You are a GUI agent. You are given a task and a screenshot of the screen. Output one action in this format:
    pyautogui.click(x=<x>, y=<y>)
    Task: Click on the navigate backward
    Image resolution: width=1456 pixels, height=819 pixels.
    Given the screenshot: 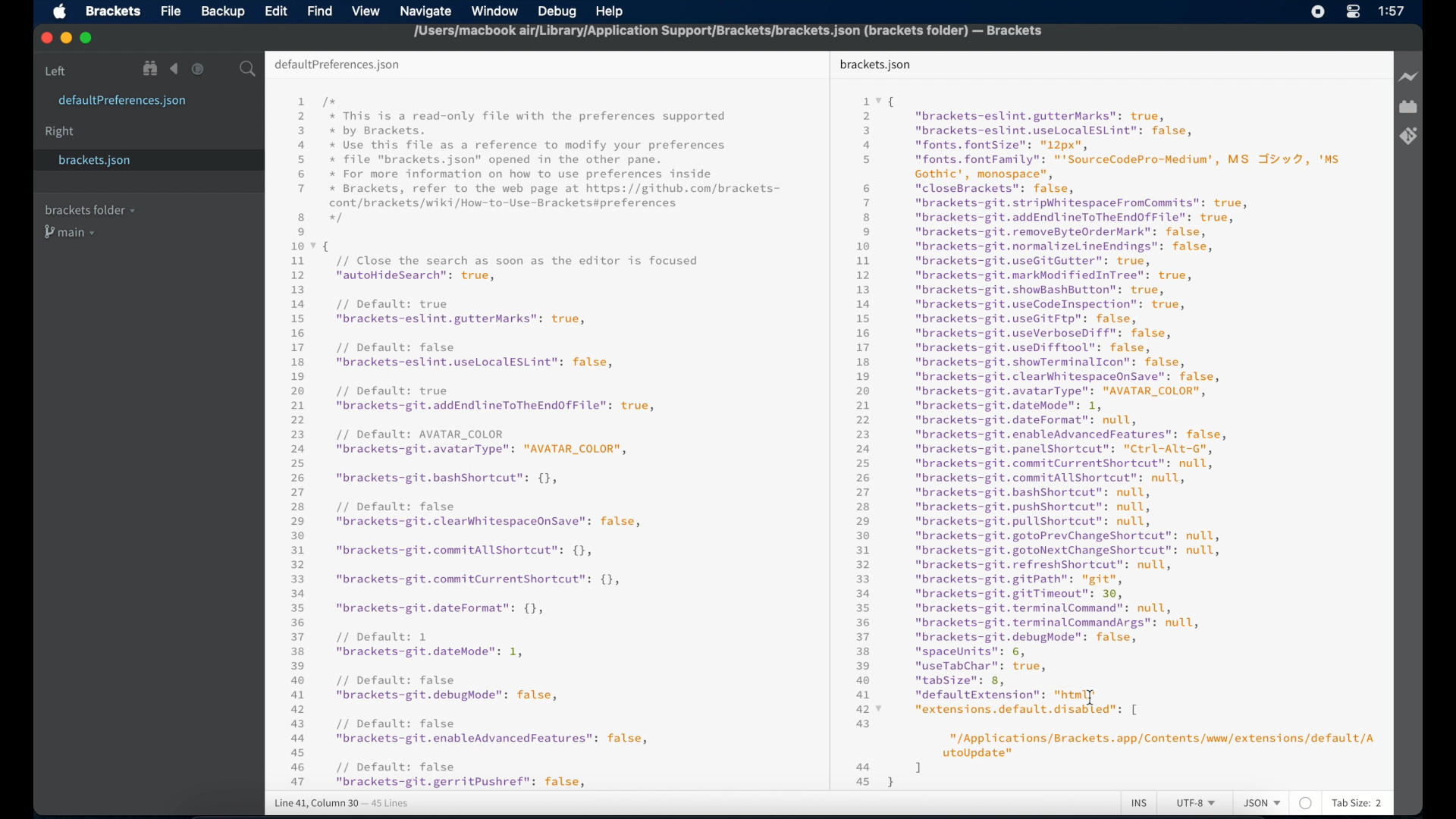 What is the action you would take?
    pyautogui.click(x=174, y=69)
    